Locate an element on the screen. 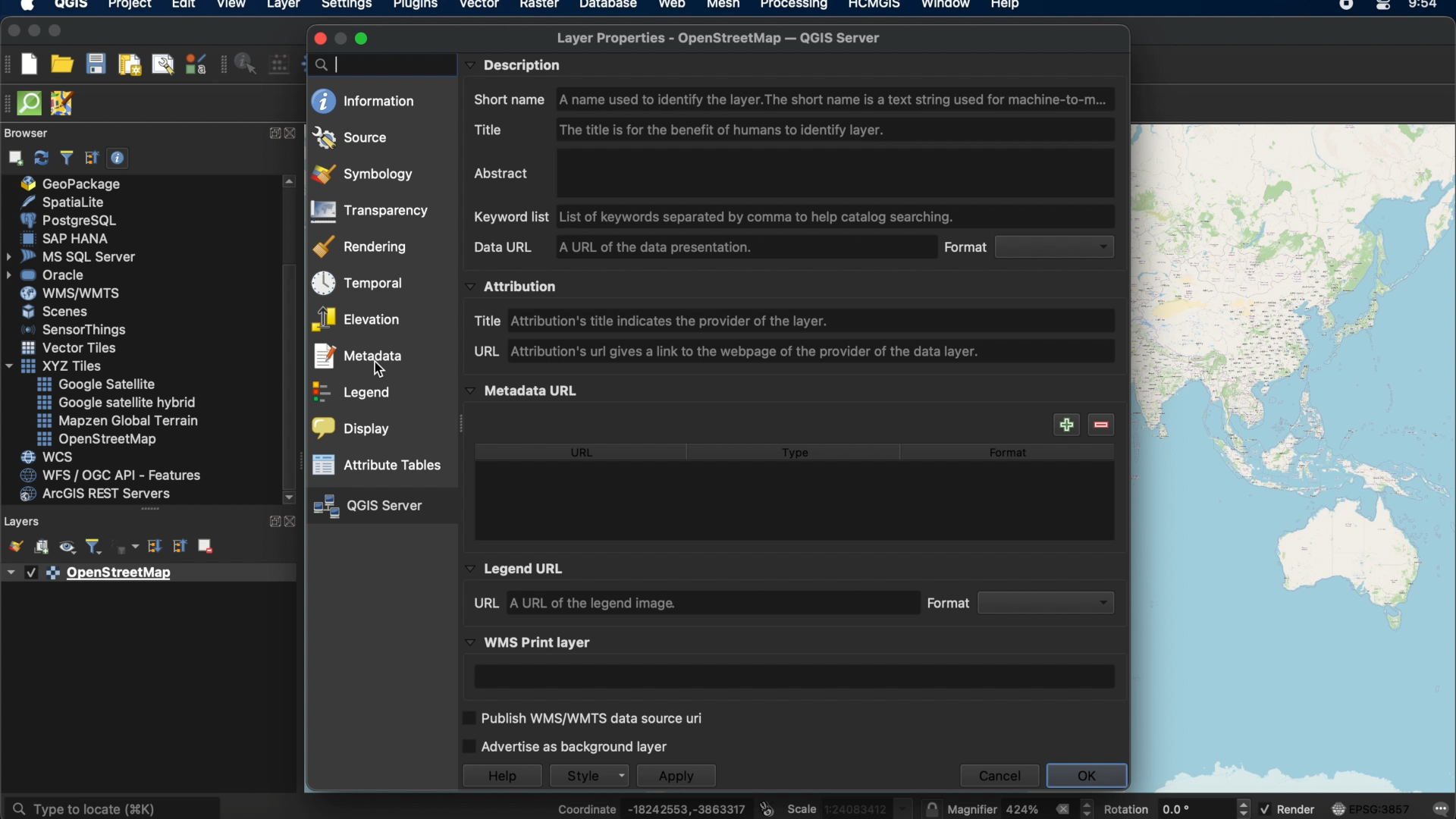  coordinate is located at coordinates (651, 805).